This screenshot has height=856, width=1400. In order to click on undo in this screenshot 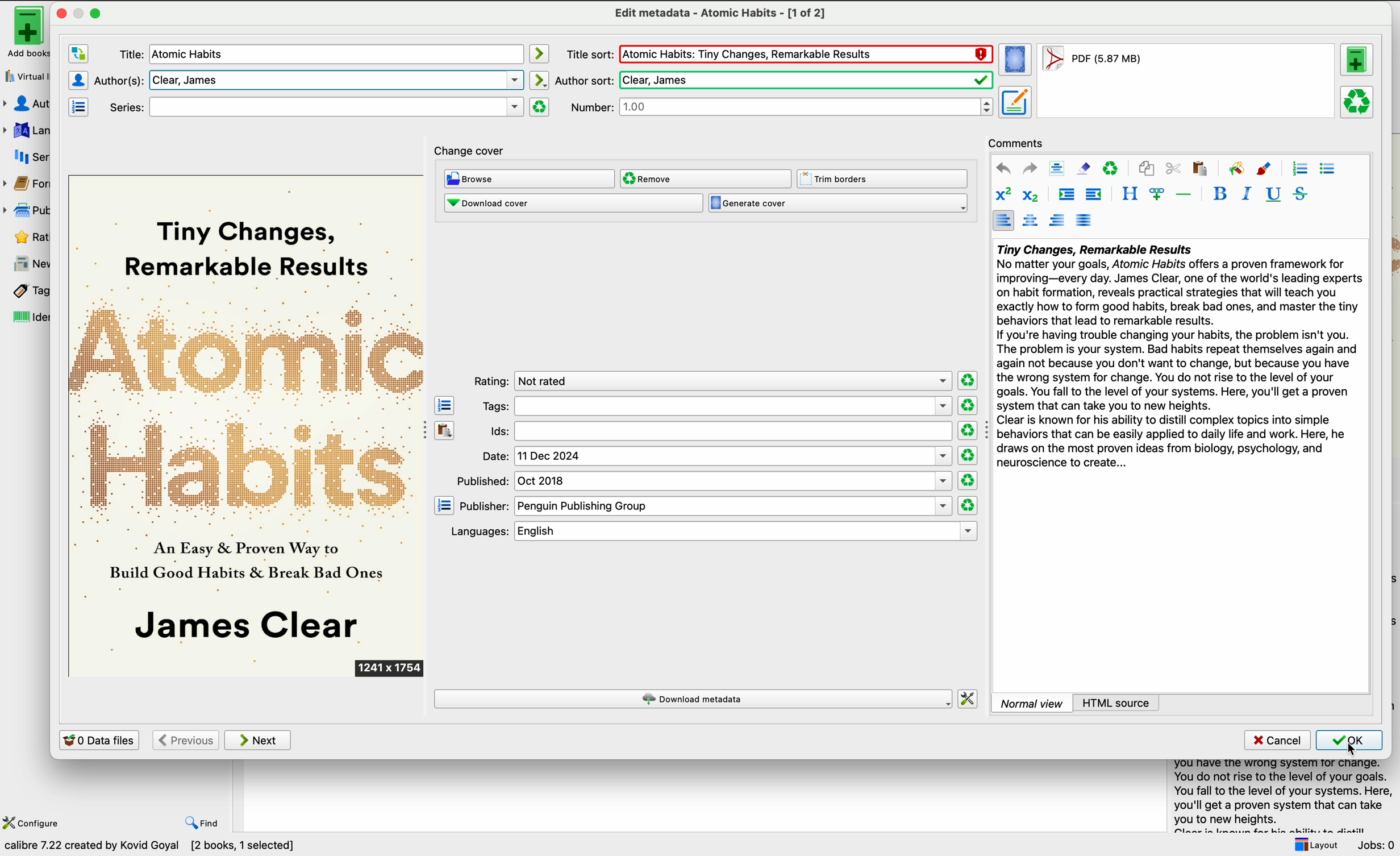, I will do `click(1003, 168)`.